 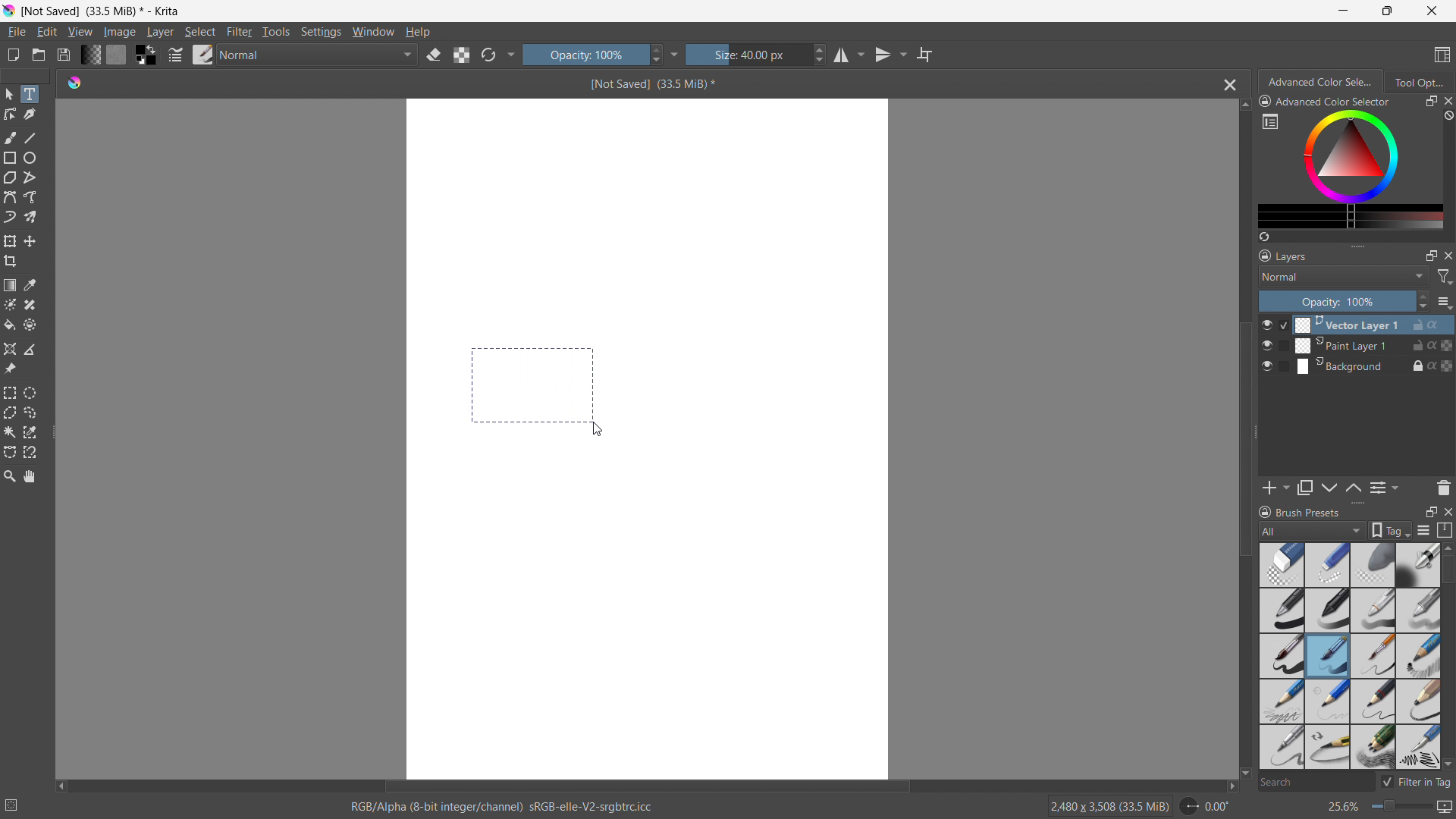 What do you see at coordinates (10, 432) in the screenshot?
I see `contigious selection tool` at bounding box center [10, 432].